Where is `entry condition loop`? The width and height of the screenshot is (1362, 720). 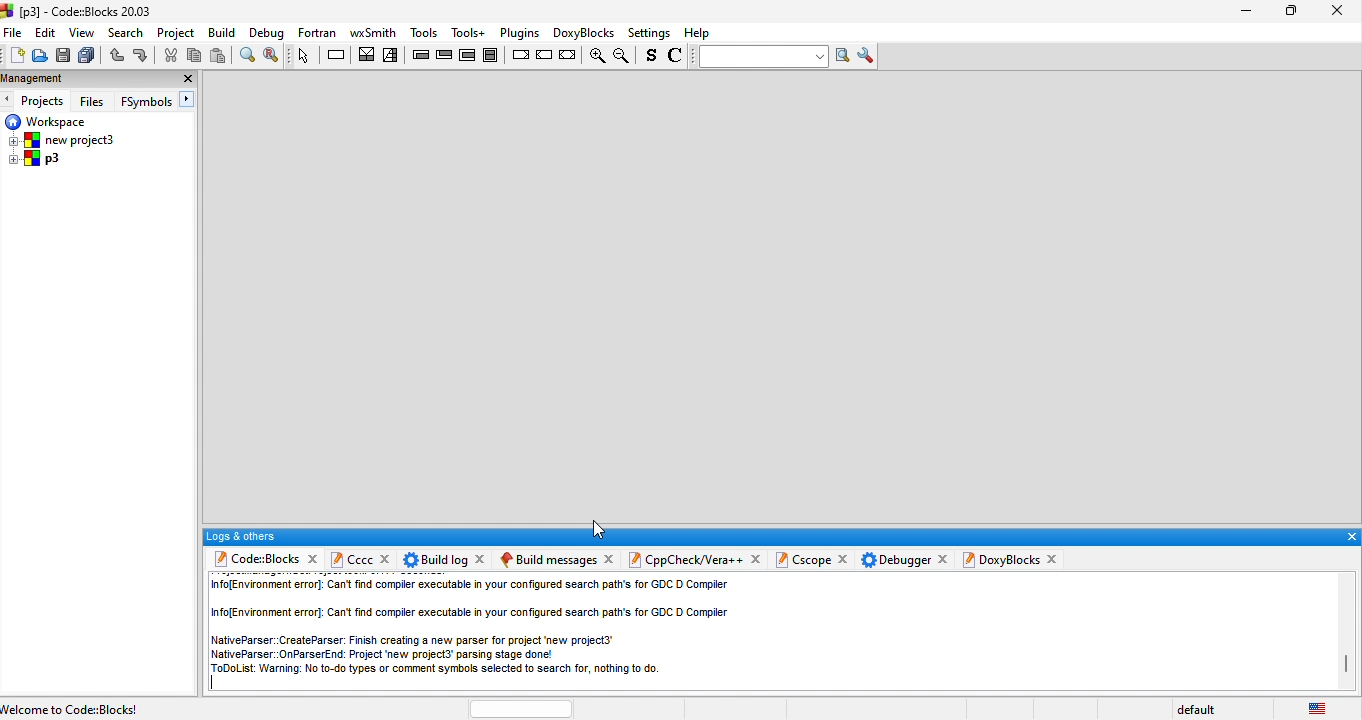
entry condition loop is located at coordinates (420, 54).